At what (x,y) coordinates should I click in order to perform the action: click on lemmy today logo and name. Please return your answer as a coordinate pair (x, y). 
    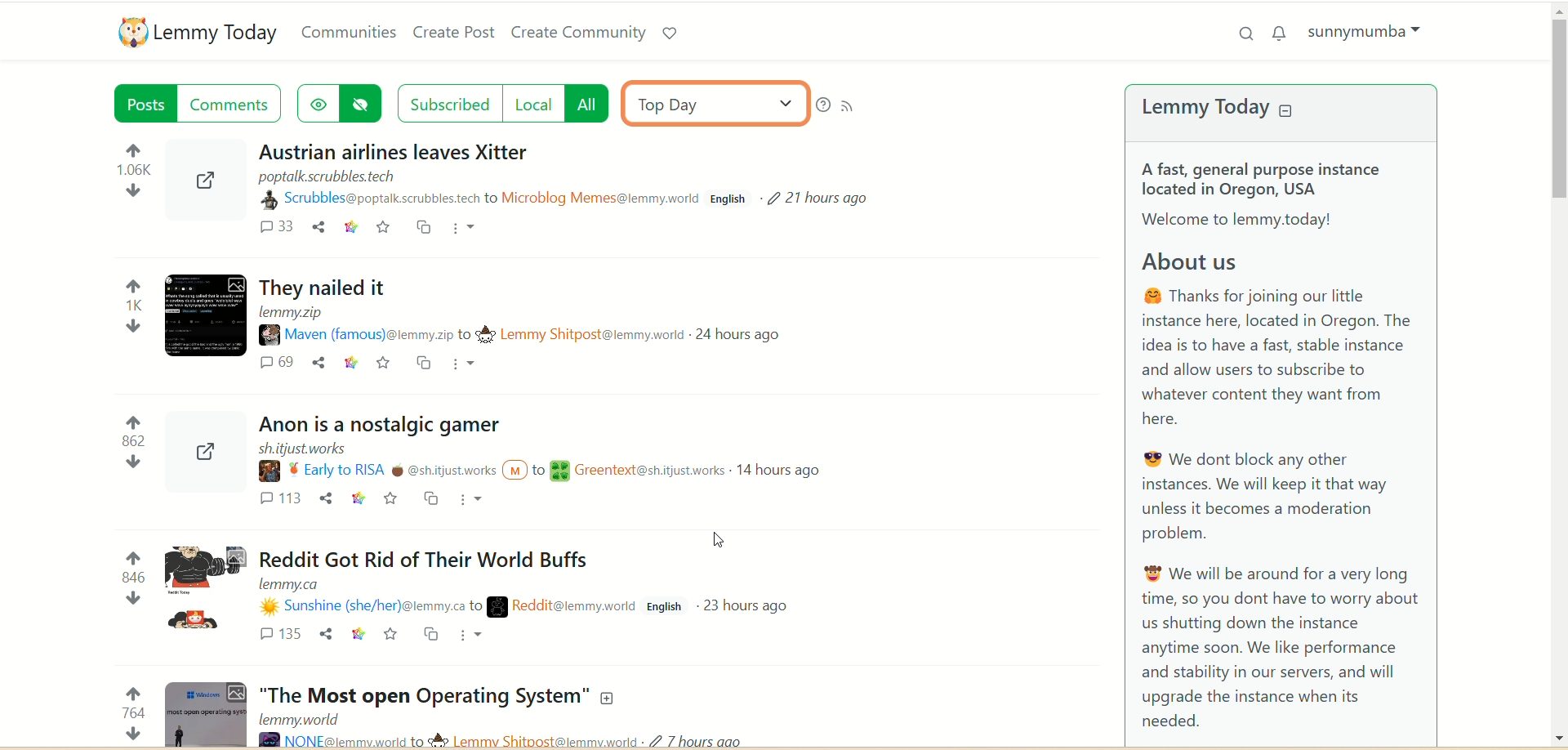
    Looking at the image, I should click on (199, 32).